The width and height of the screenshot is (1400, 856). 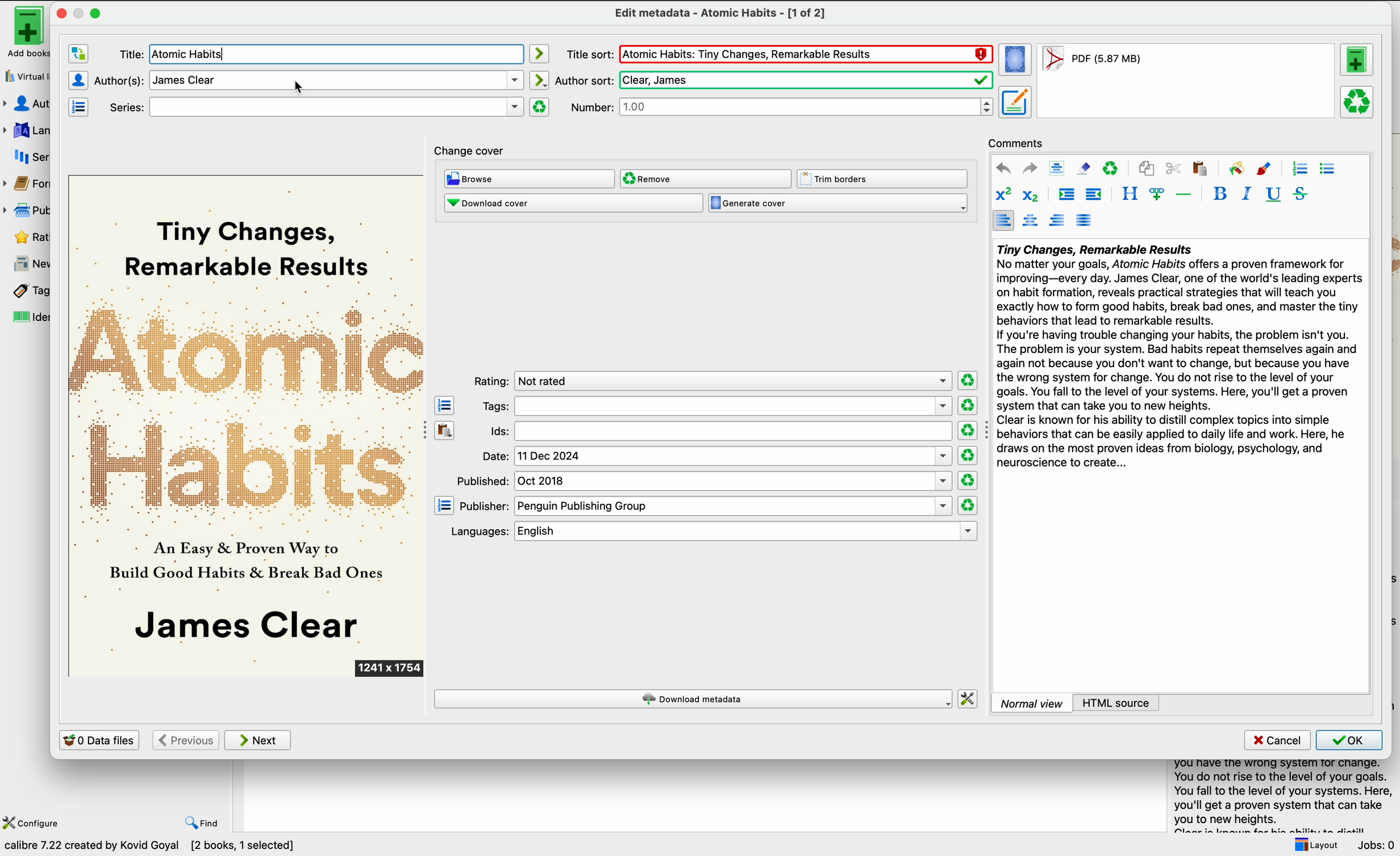 What do you see at coordinates (1358, 103) in the screenshot?
I see `remove the selected format from this book` at bounding box center [1358, 103].